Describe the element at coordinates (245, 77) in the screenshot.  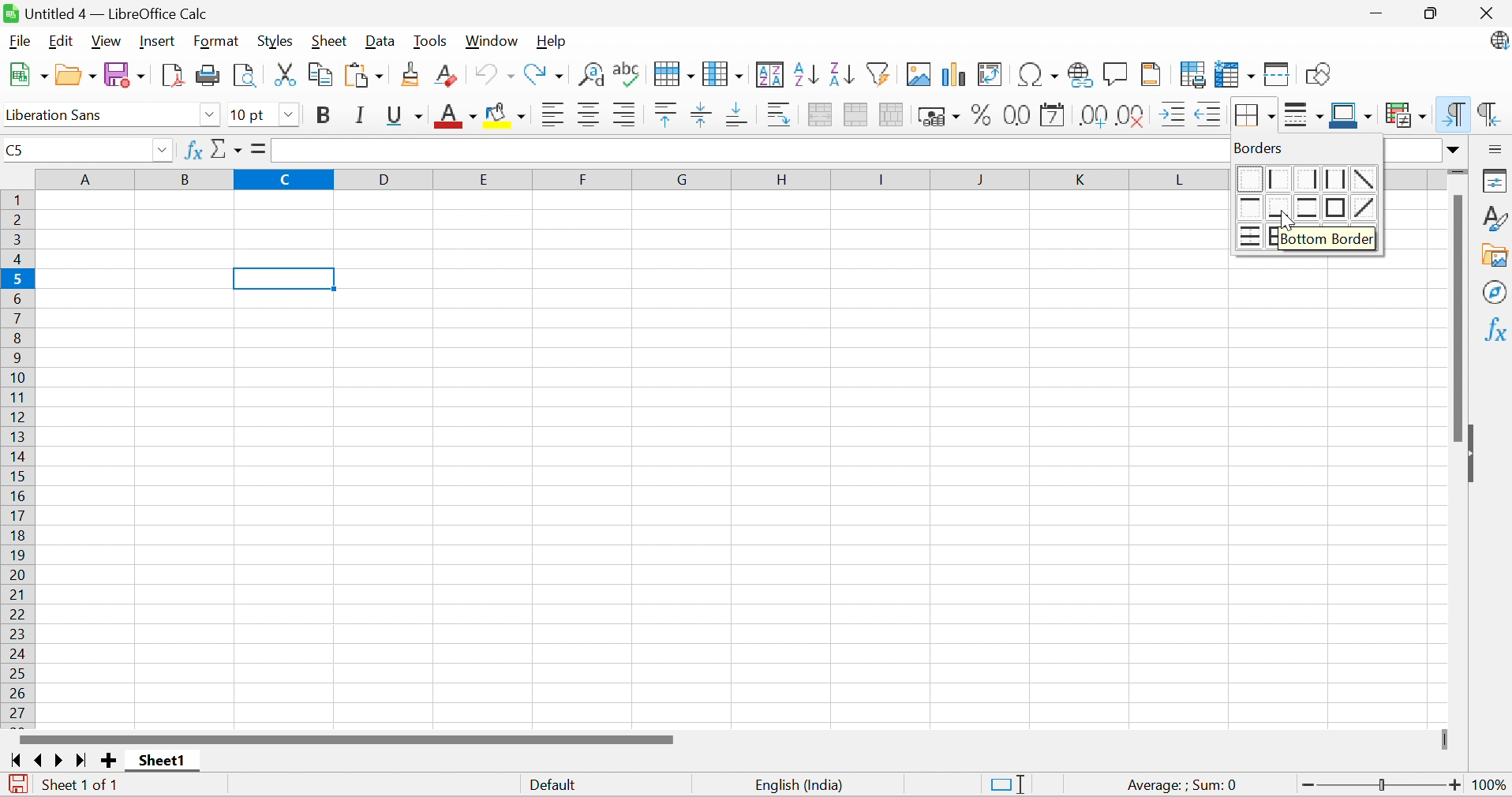
I see `Toggle print preview` at that location.